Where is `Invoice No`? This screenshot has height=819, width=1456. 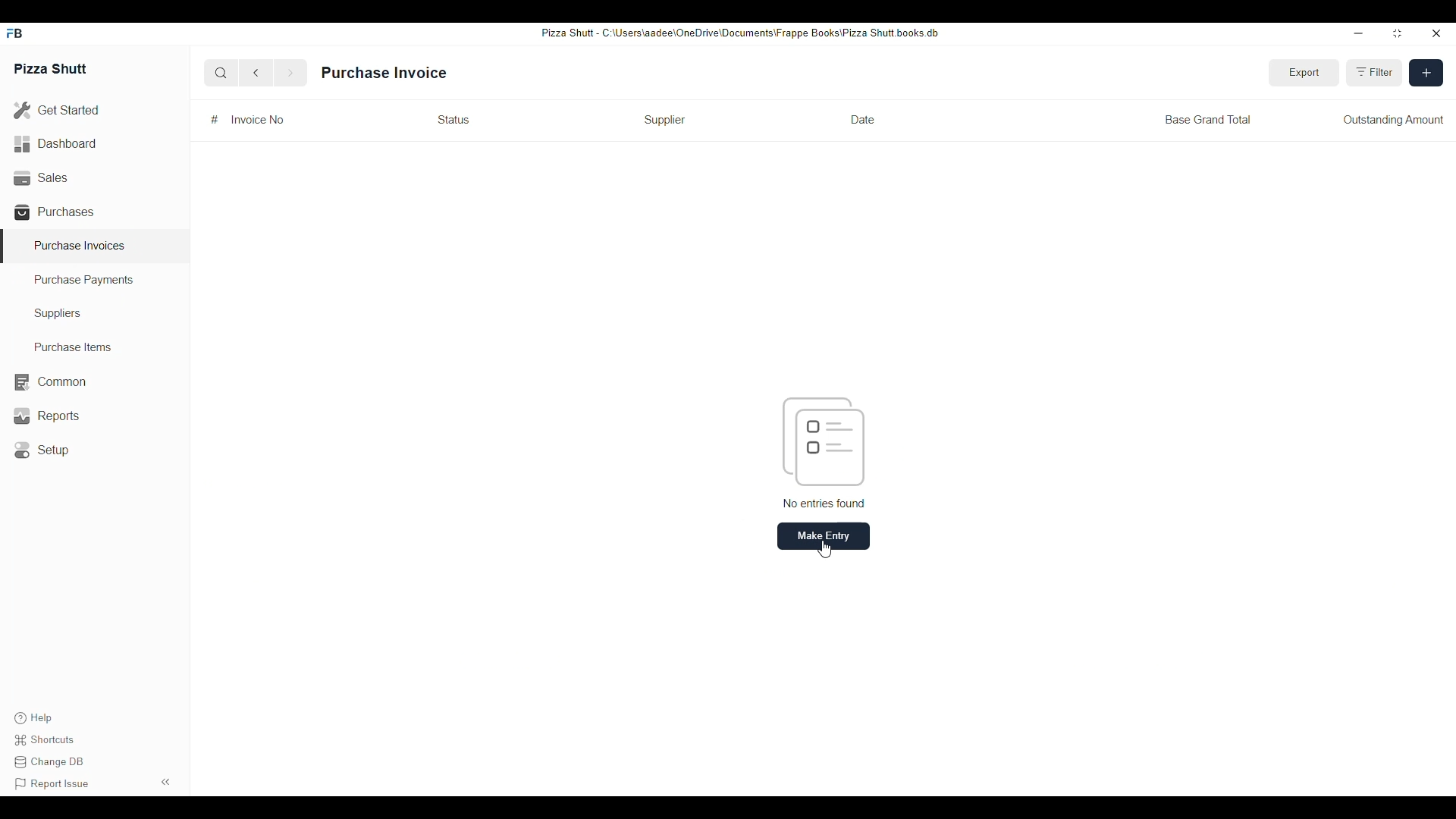 Invoice No is located at coordinates (258, 119).